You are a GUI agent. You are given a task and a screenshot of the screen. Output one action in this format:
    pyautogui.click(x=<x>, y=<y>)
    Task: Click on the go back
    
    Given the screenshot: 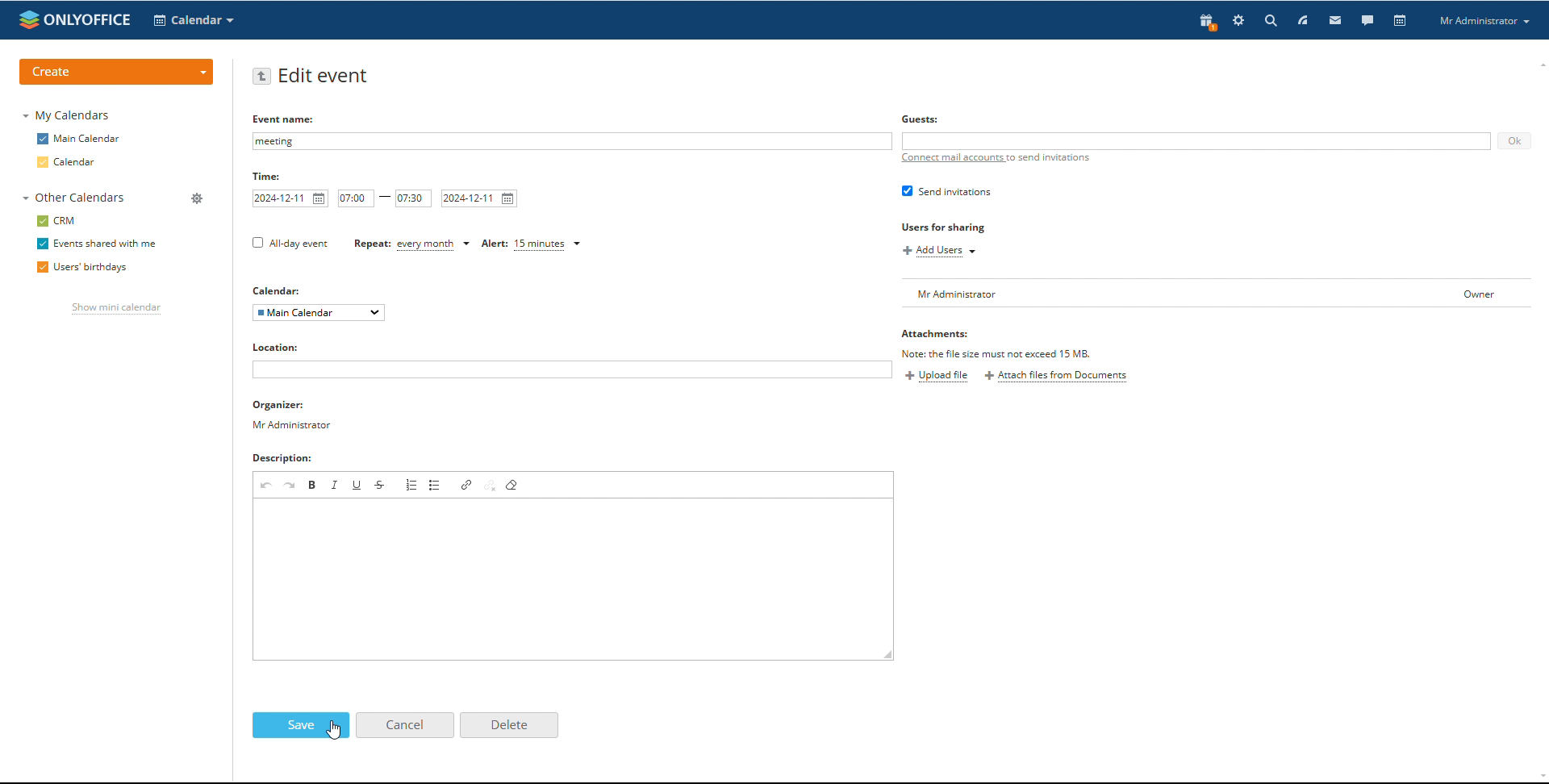 What is the action you would take?
    pyautogui.click(x=261, y=76)
    